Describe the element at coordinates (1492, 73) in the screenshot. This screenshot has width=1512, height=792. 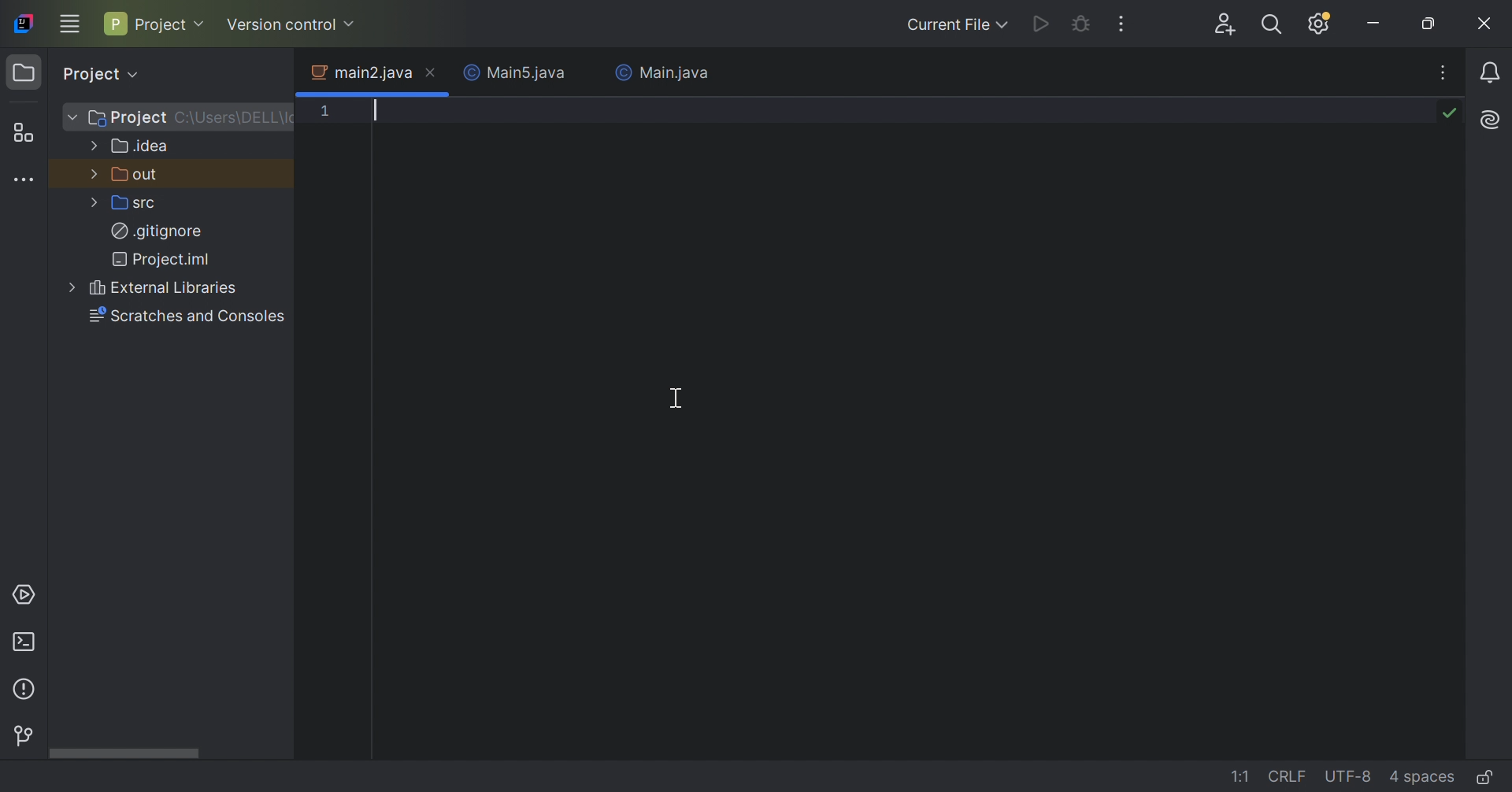
I see `Notifications` at that location.